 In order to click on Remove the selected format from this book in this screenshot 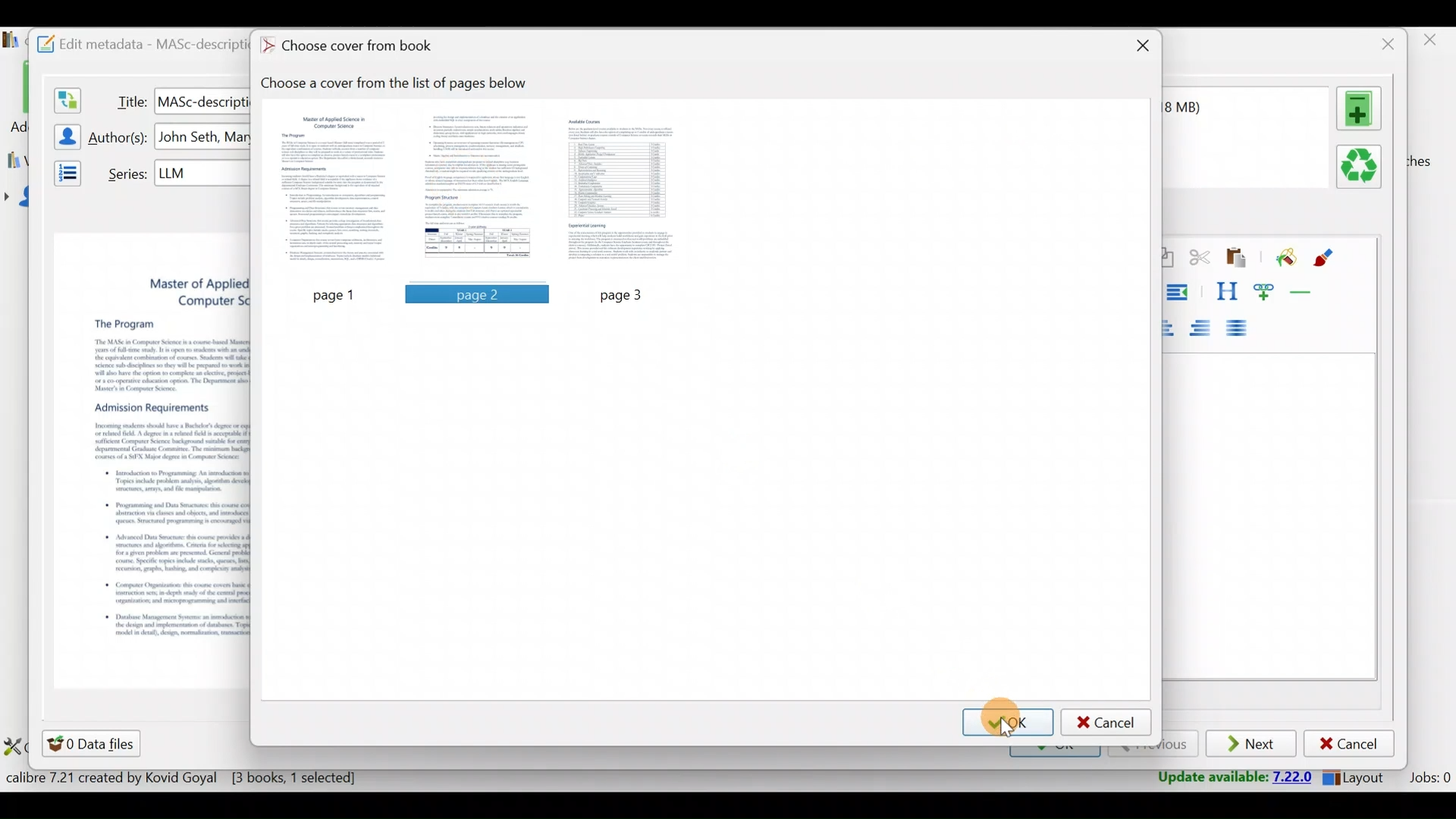, I will do `click(1362, 168)`.